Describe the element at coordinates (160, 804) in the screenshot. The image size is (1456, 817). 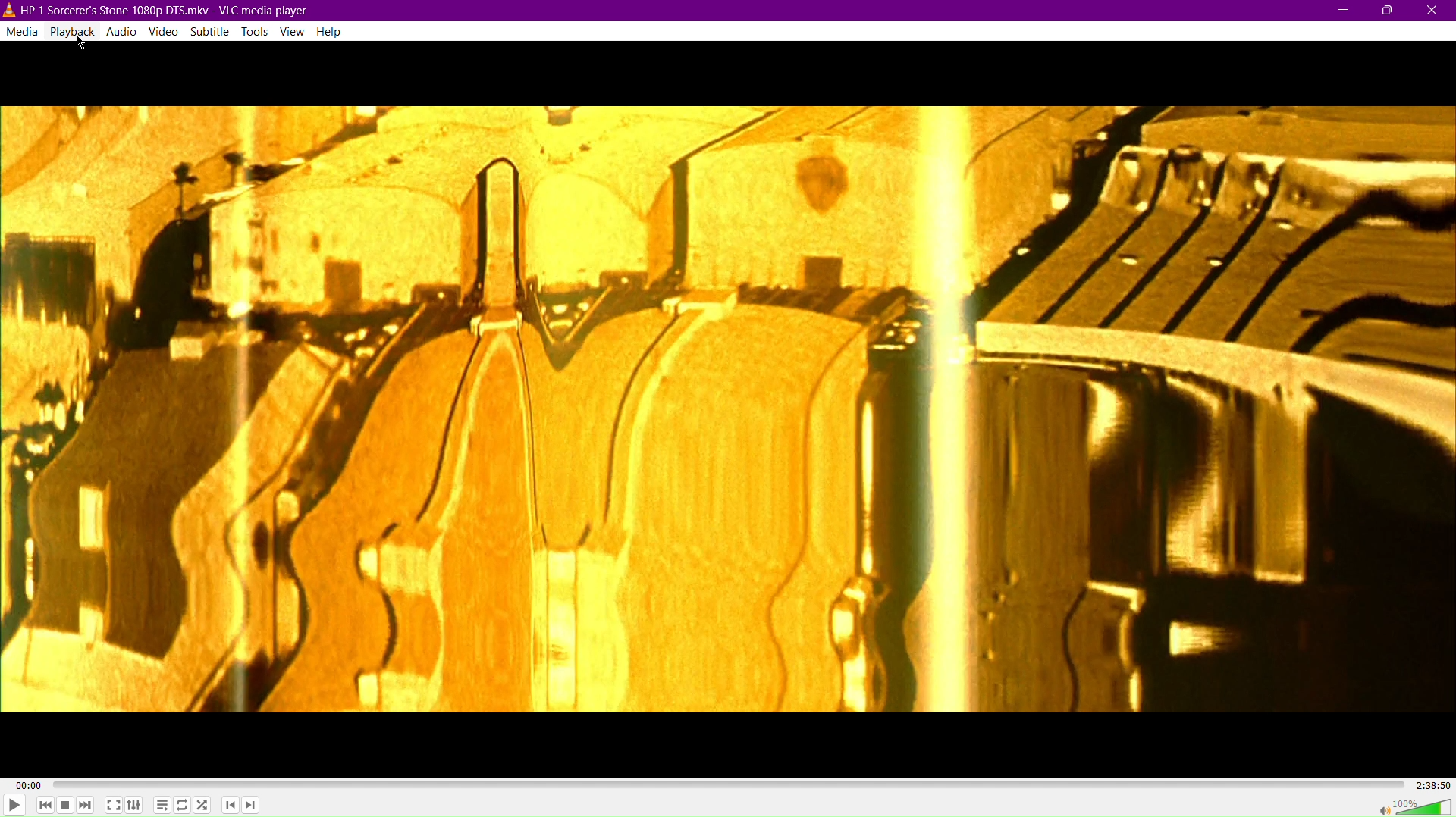
I see `Toggle playlist` at that location.